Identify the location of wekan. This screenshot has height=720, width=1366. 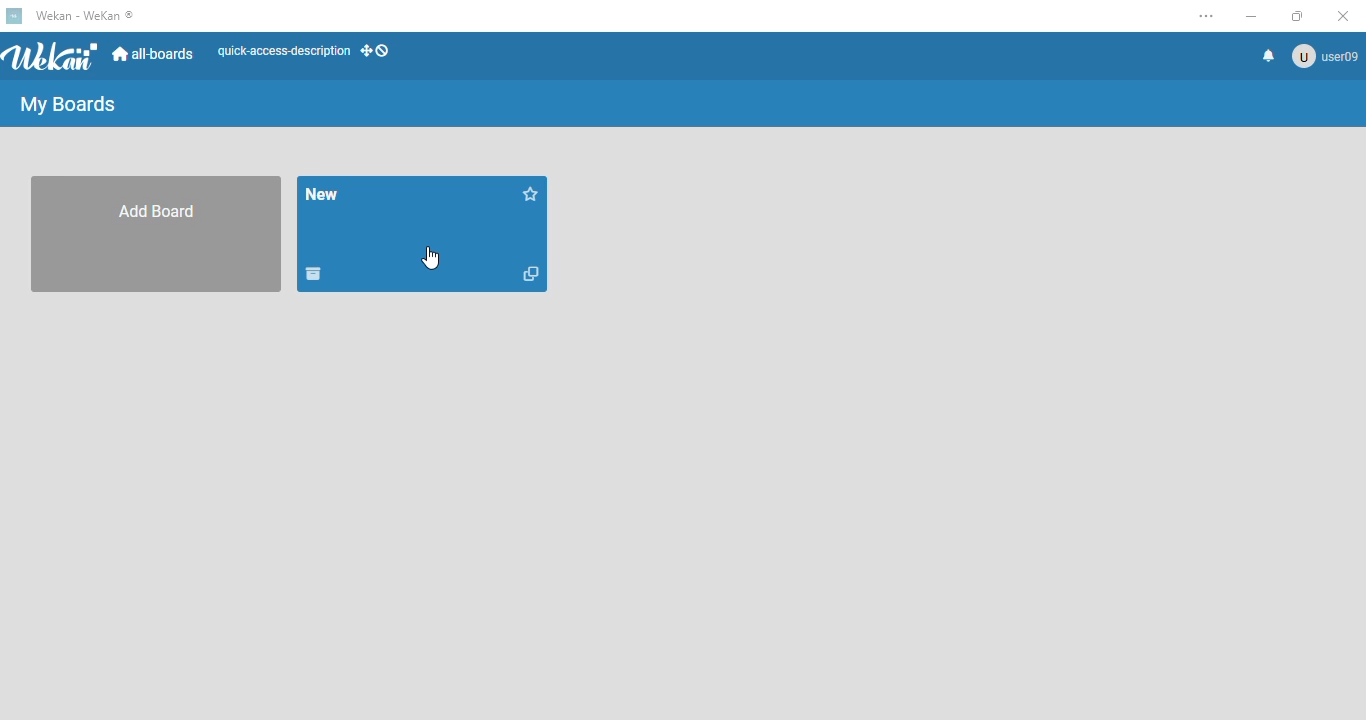
(53, 56).